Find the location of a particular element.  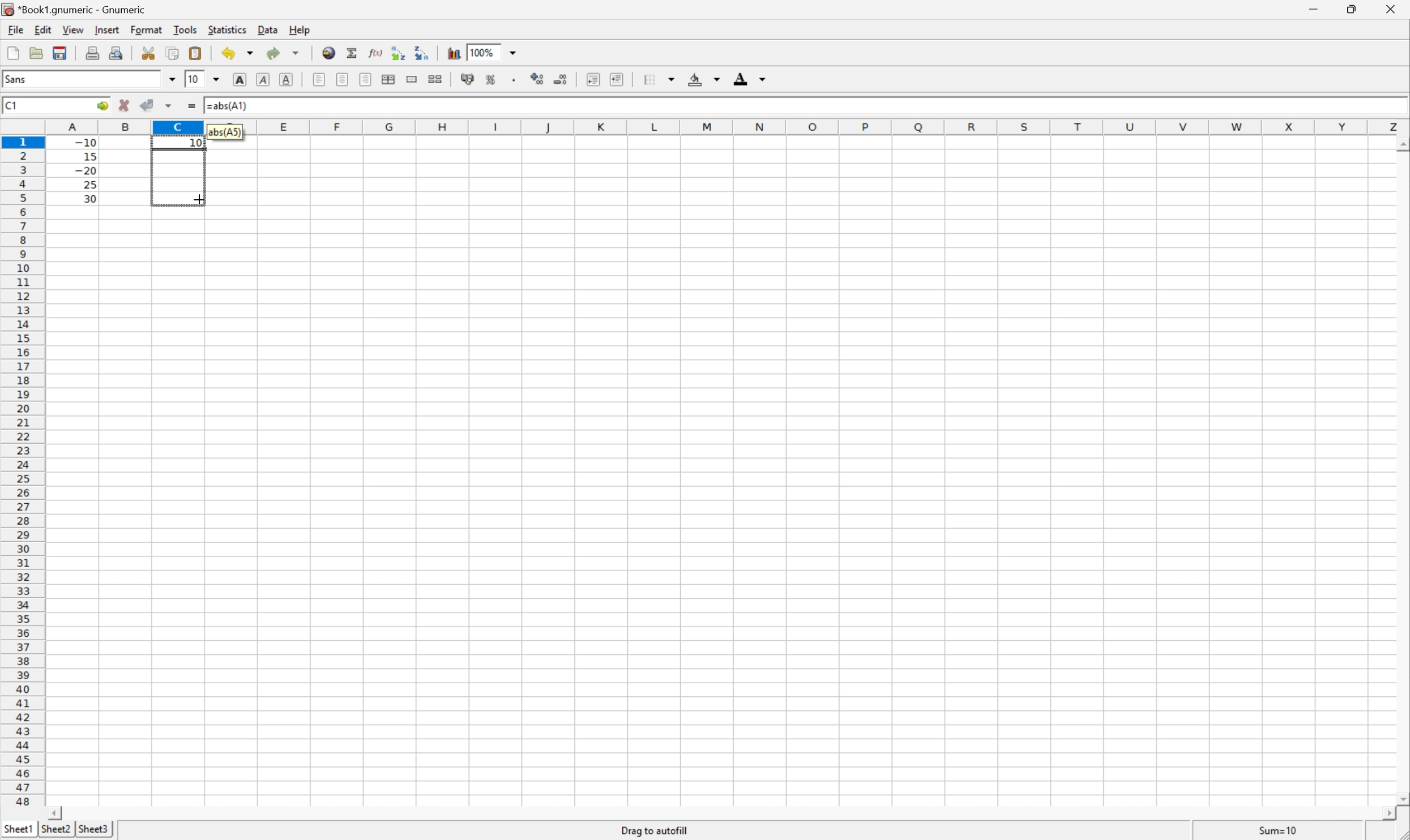

Accept change is located at coordinates (148, 105).